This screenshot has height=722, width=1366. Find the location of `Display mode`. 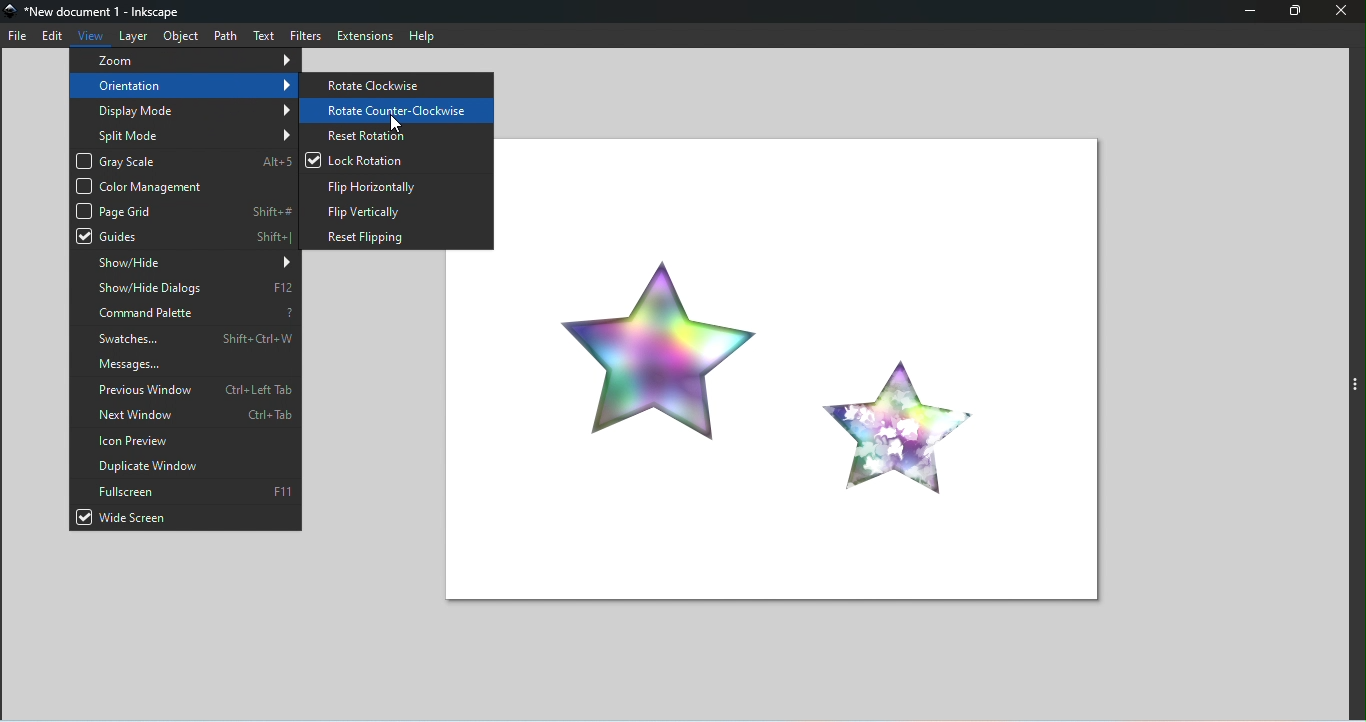

Display mode is located at coordinates (185, 110).